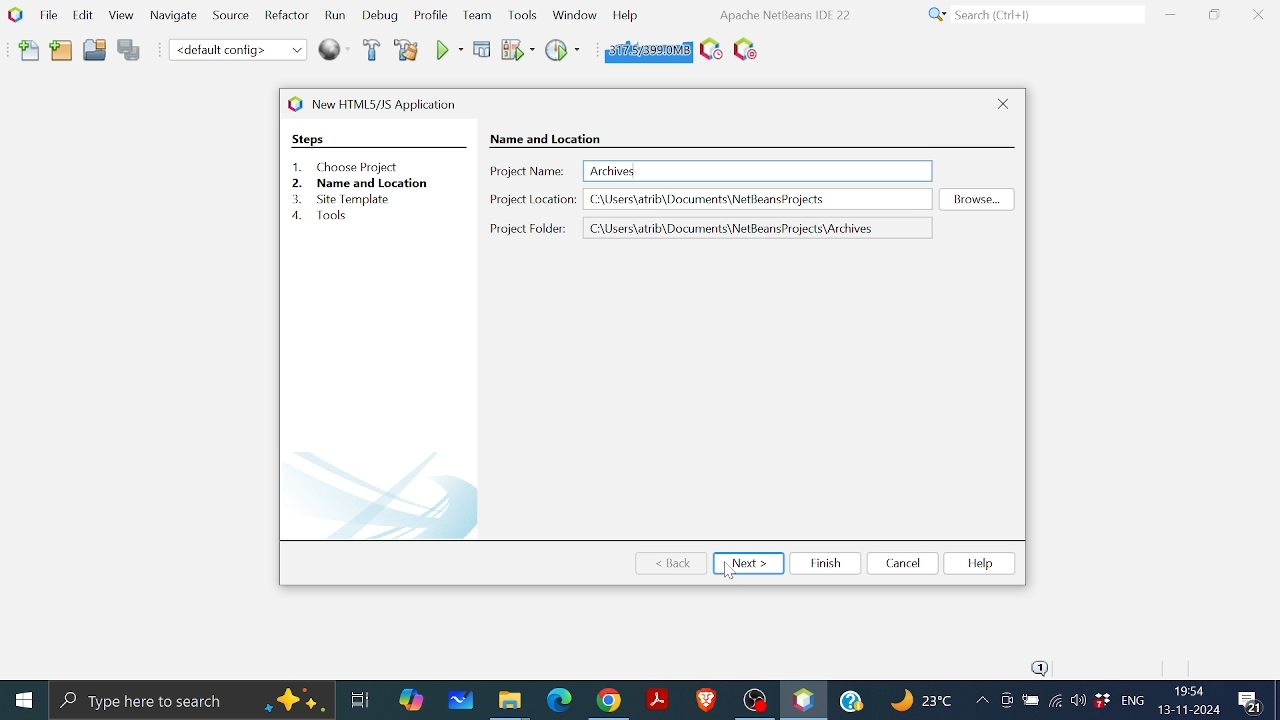  Describe the element at coordinates (120, 16) in the screenshot. I see `View` at that location.